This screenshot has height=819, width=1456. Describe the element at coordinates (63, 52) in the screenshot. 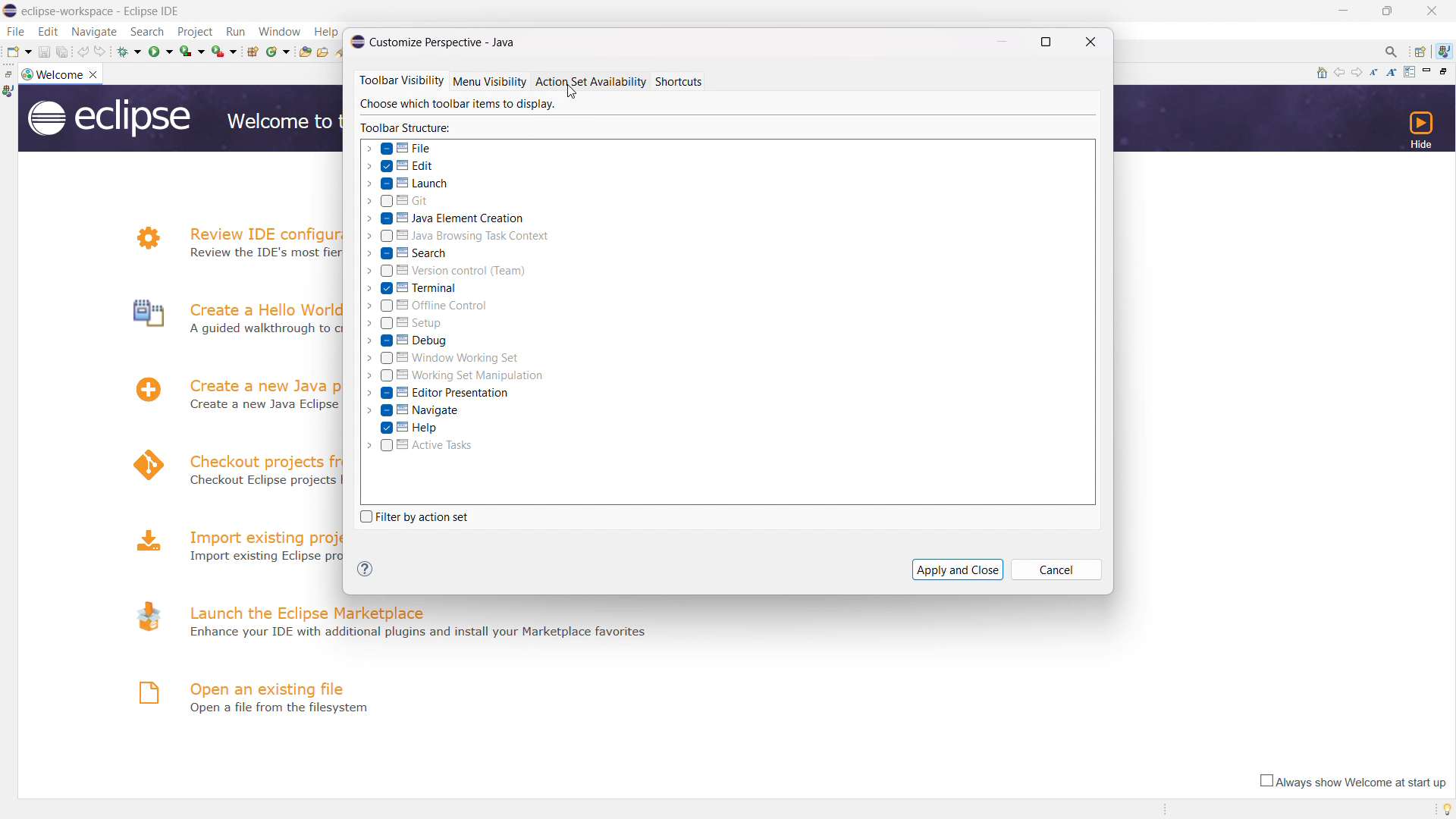

I see `save all` at that location.